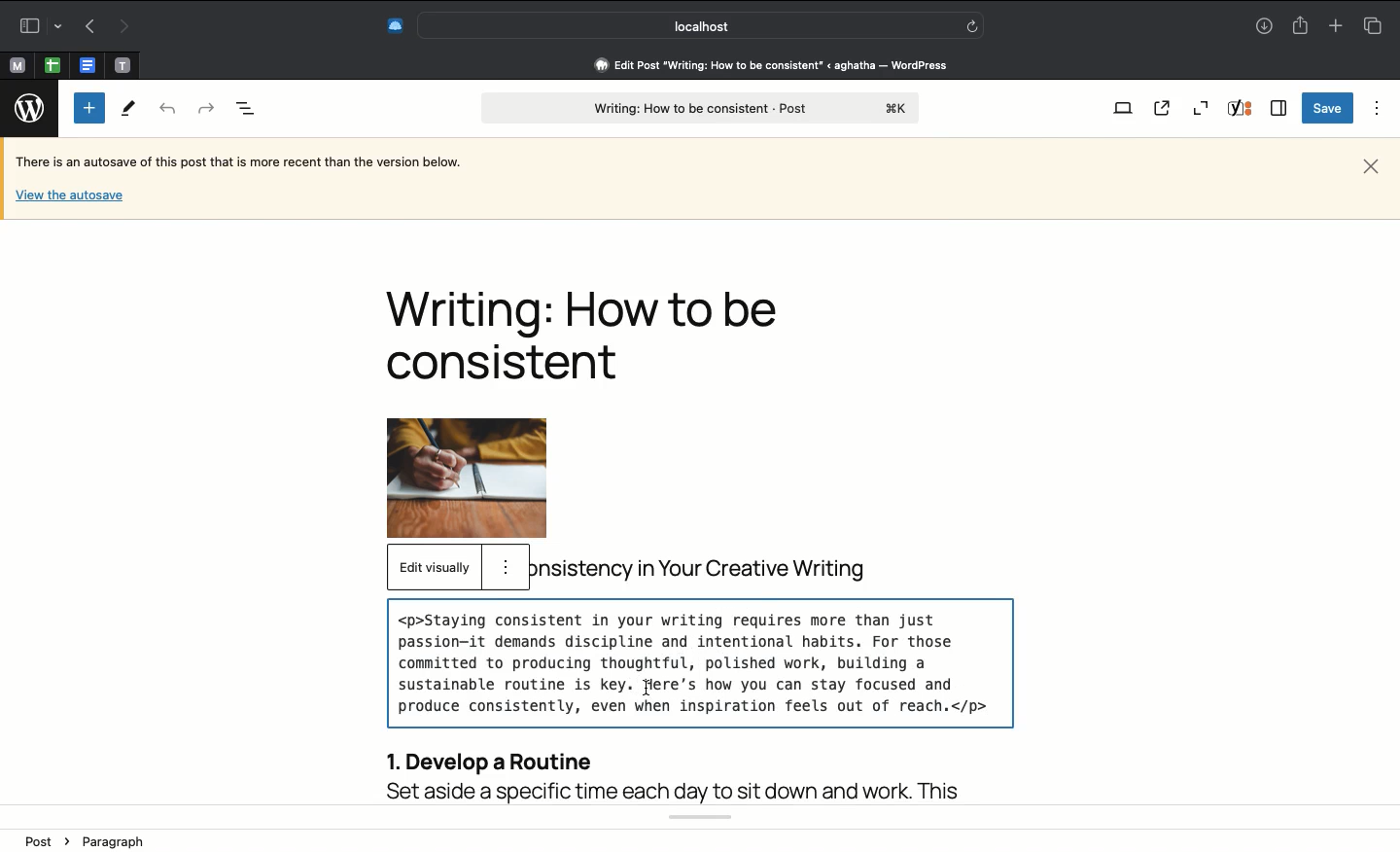 Image resolution: width=1400 pixels, height=852 pixels. I want to click on Save, so click(1325, 109).